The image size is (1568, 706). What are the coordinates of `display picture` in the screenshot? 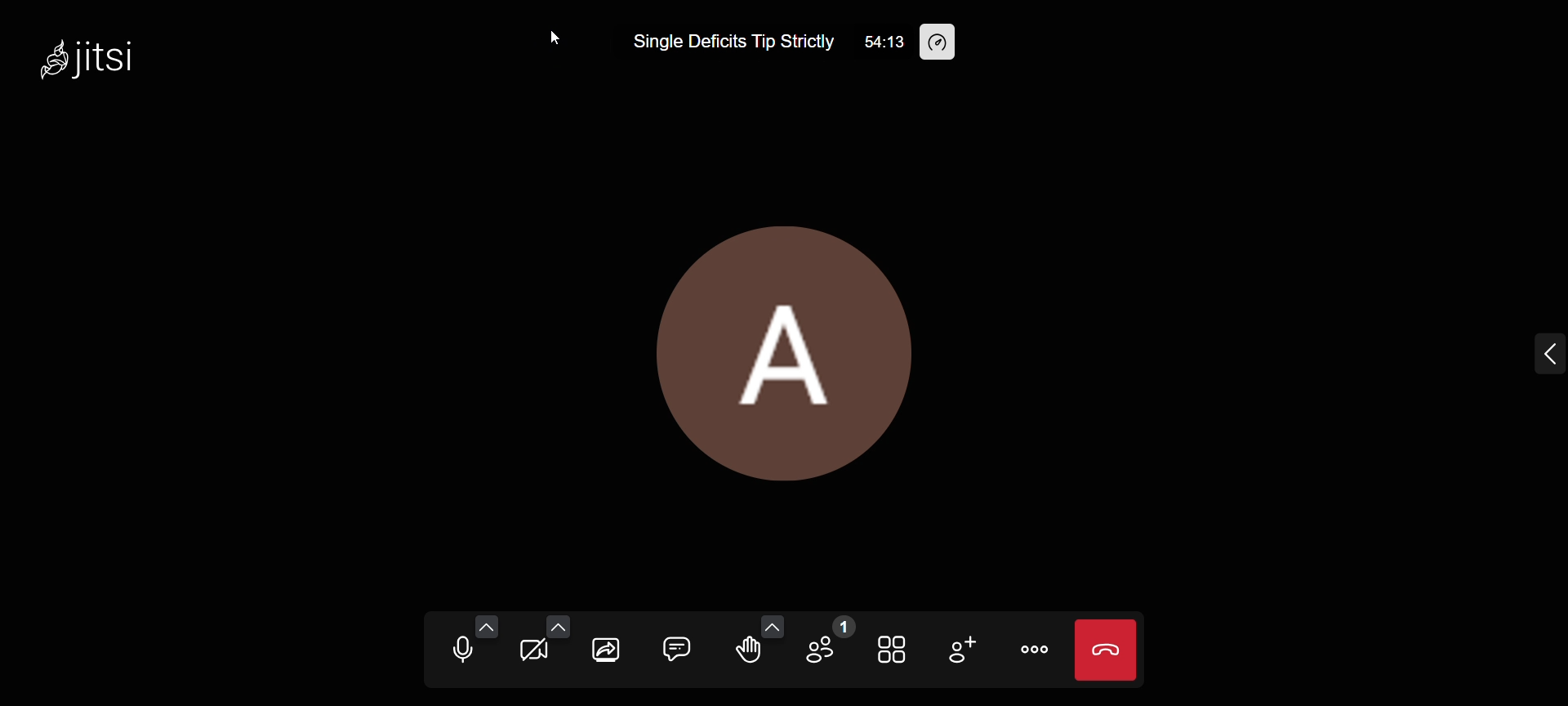 It's located at (792, 348).